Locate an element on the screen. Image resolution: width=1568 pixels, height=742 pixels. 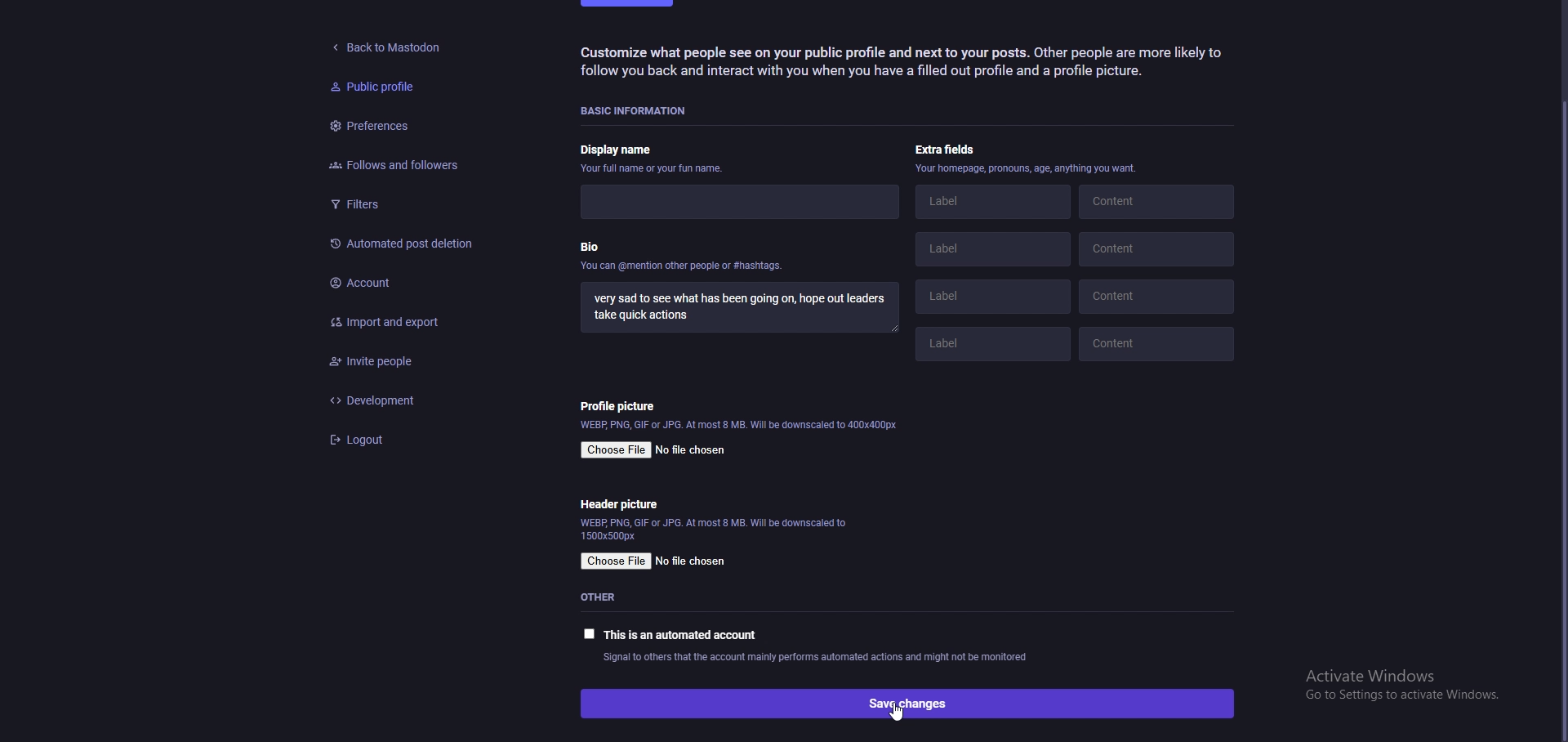
cursor is located at coordinates (898, 714).